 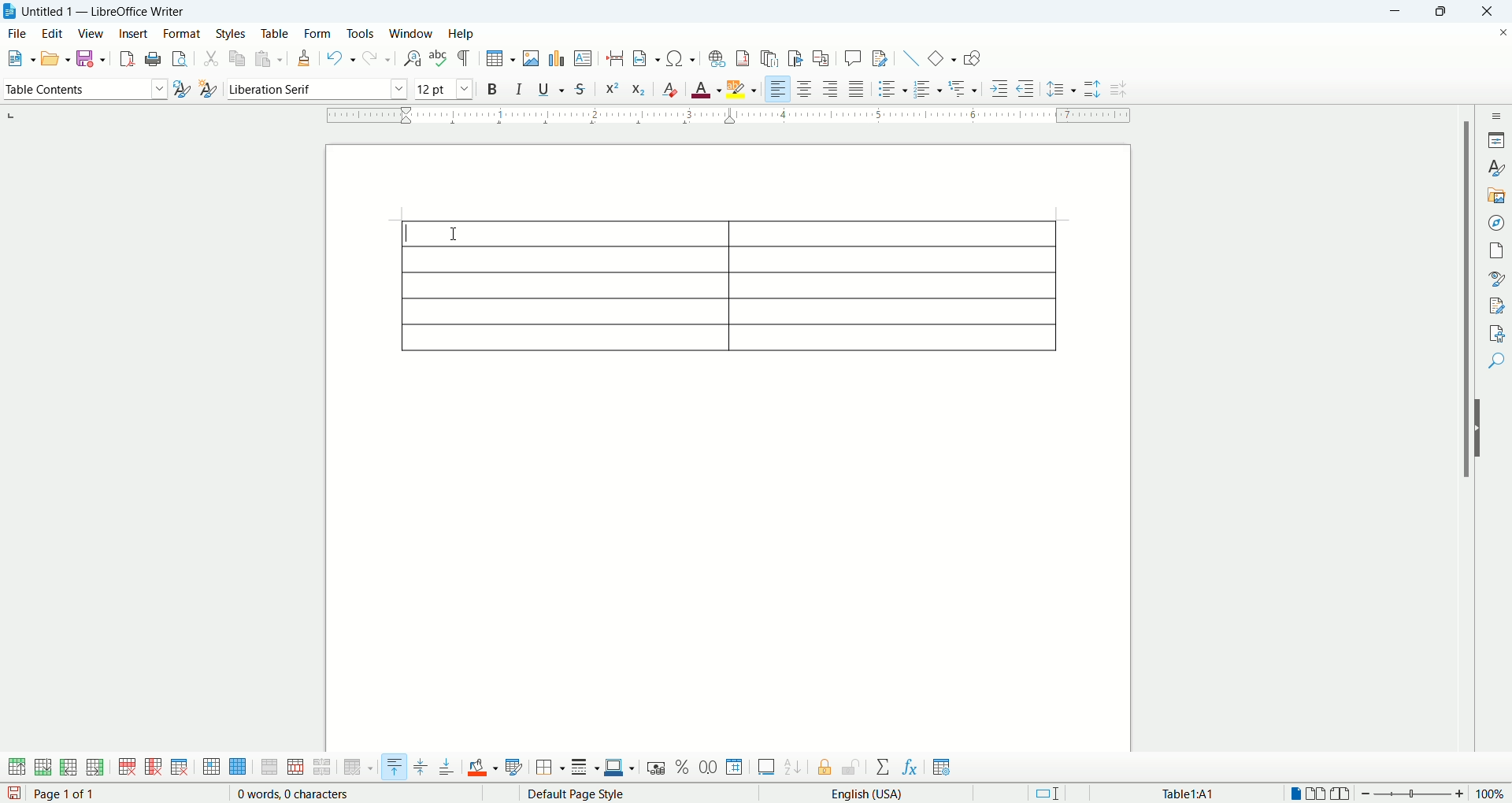 I want to click on delete table, so click(x=180, y=767).